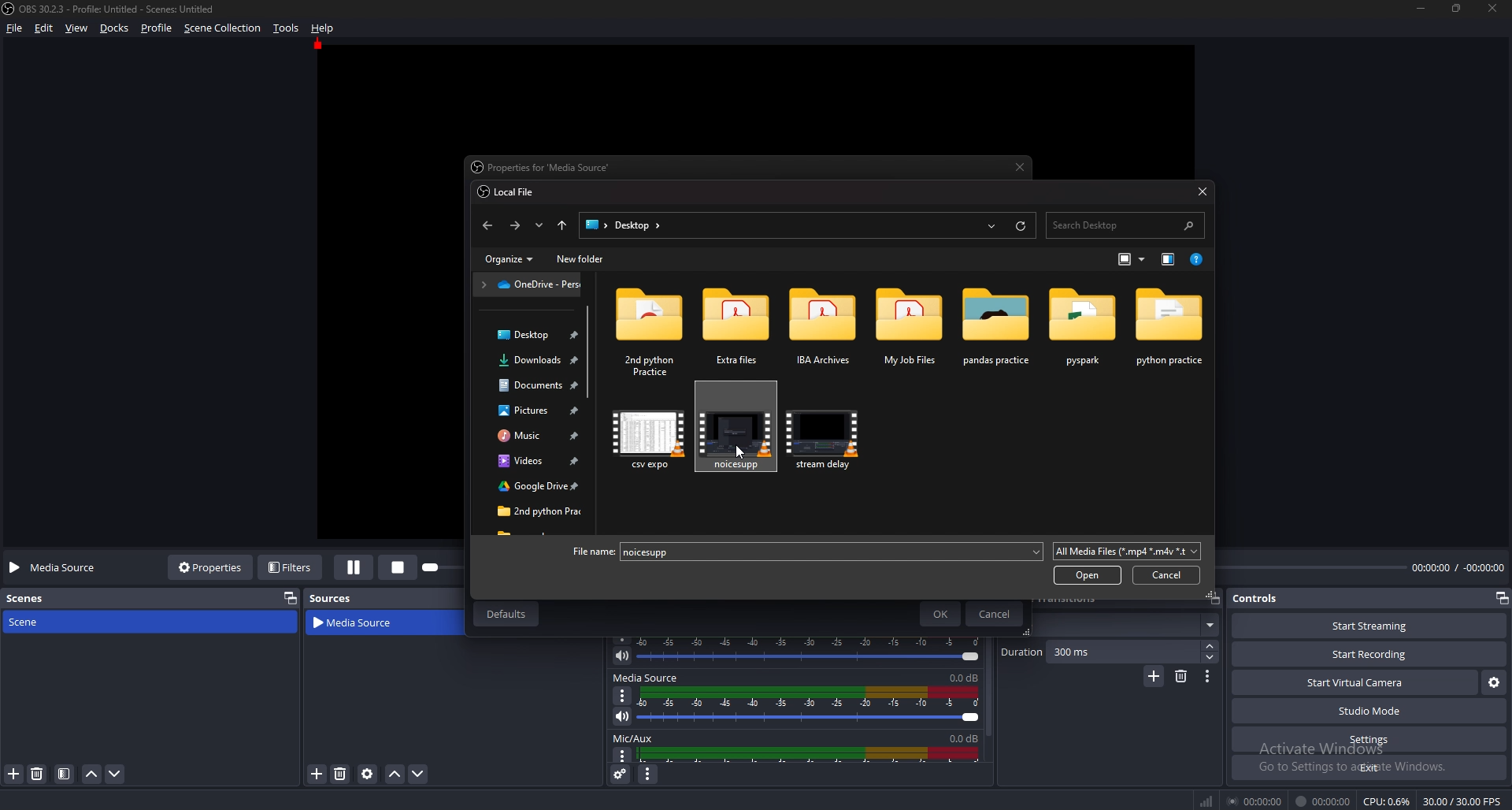  Describe the element at coordinates (323, 28) in the screenshot. I see `help` at that location.